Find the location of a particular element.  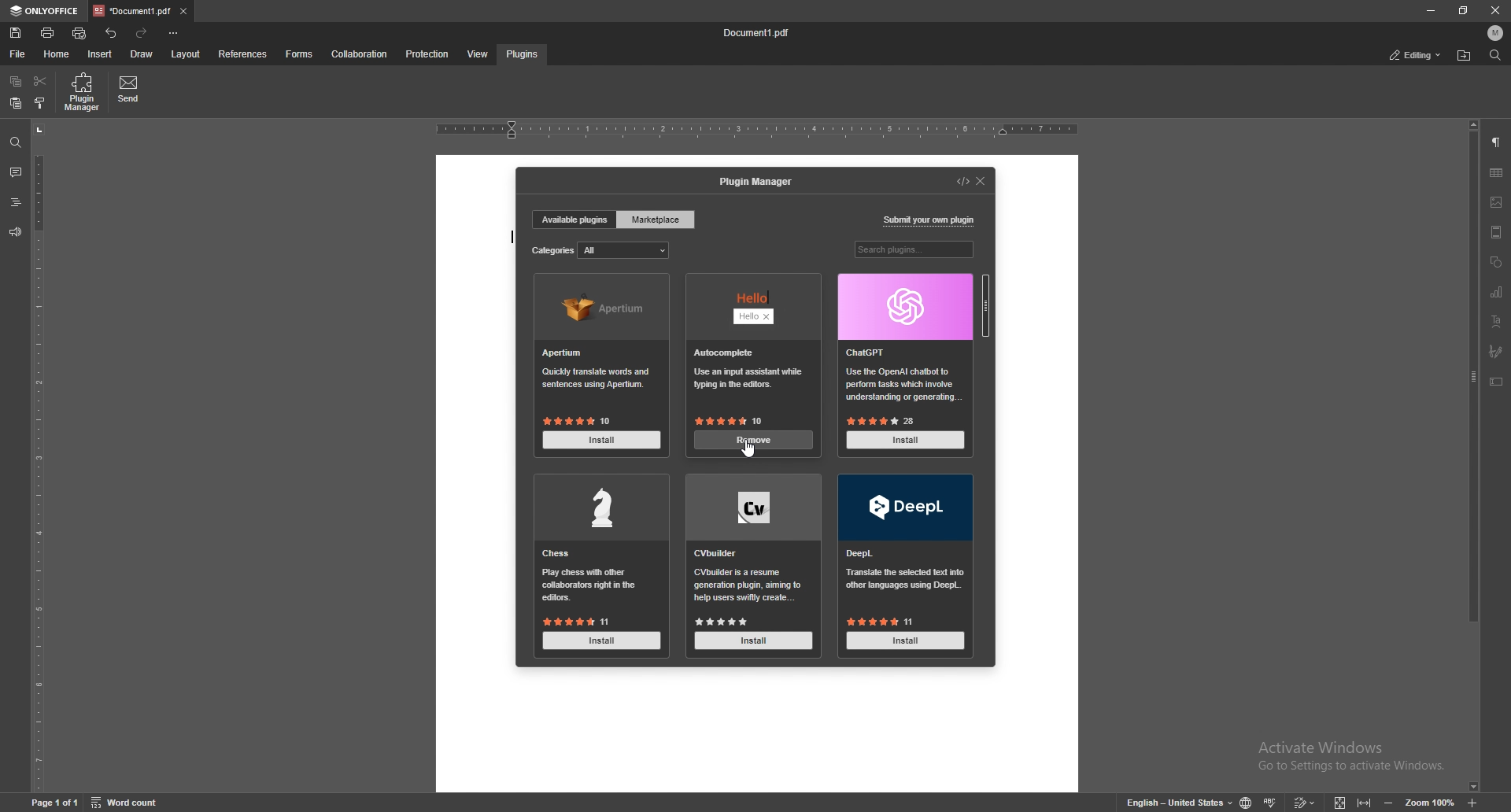

cv builder is located at coordinates (755, 551).